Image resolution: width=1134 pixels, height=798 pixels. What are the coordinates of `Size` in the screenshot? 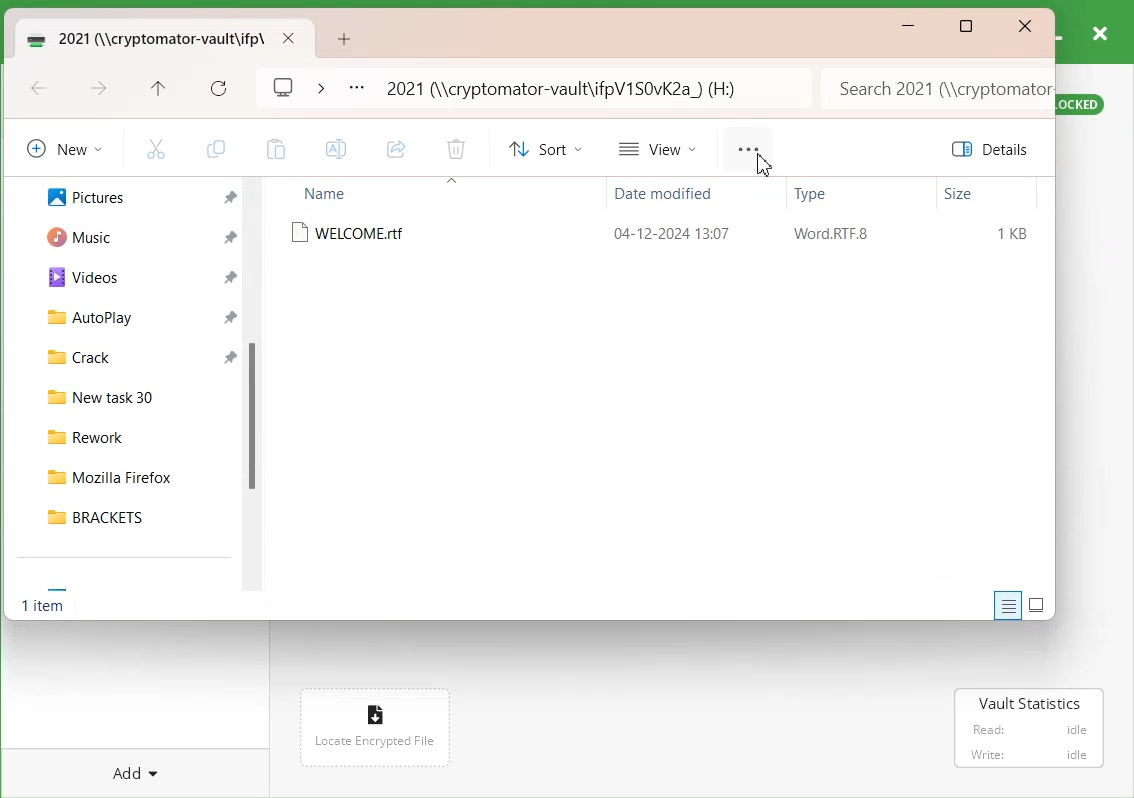 It's located at (977, 194).